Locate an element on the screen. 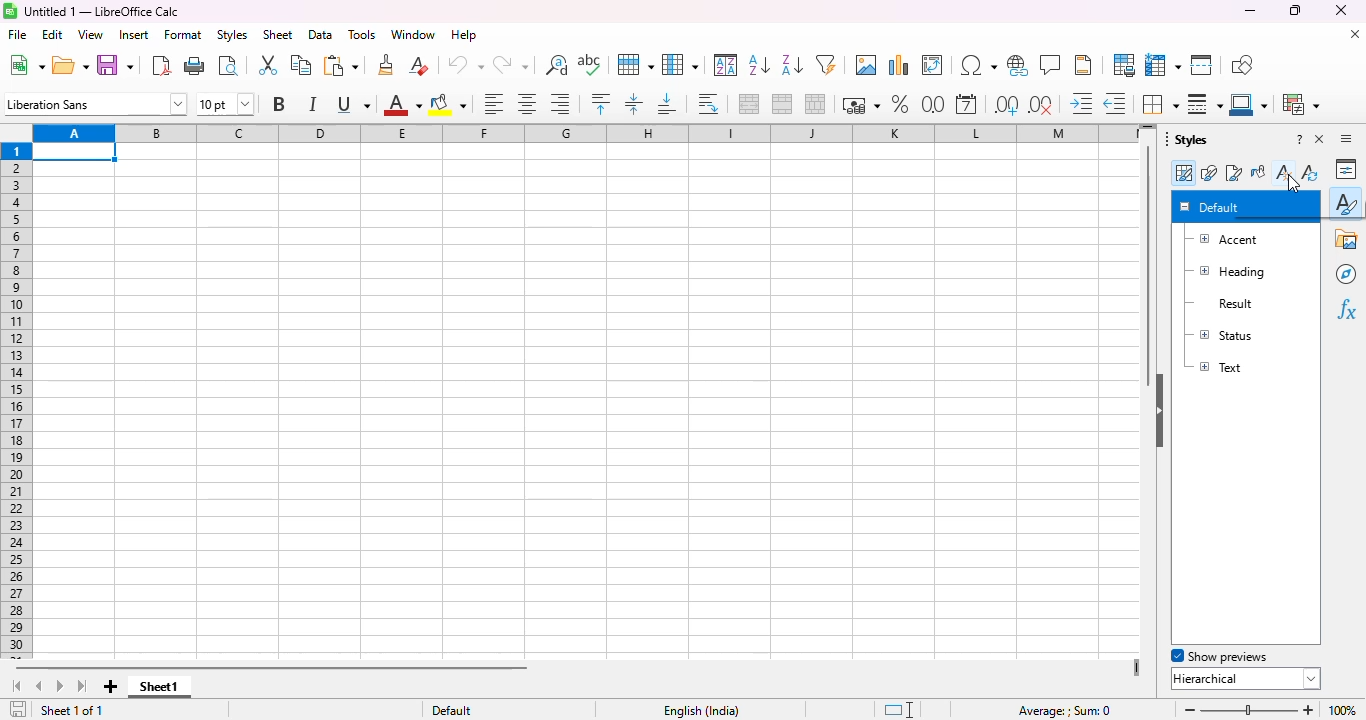  align center is located at coordinates (527, 104).